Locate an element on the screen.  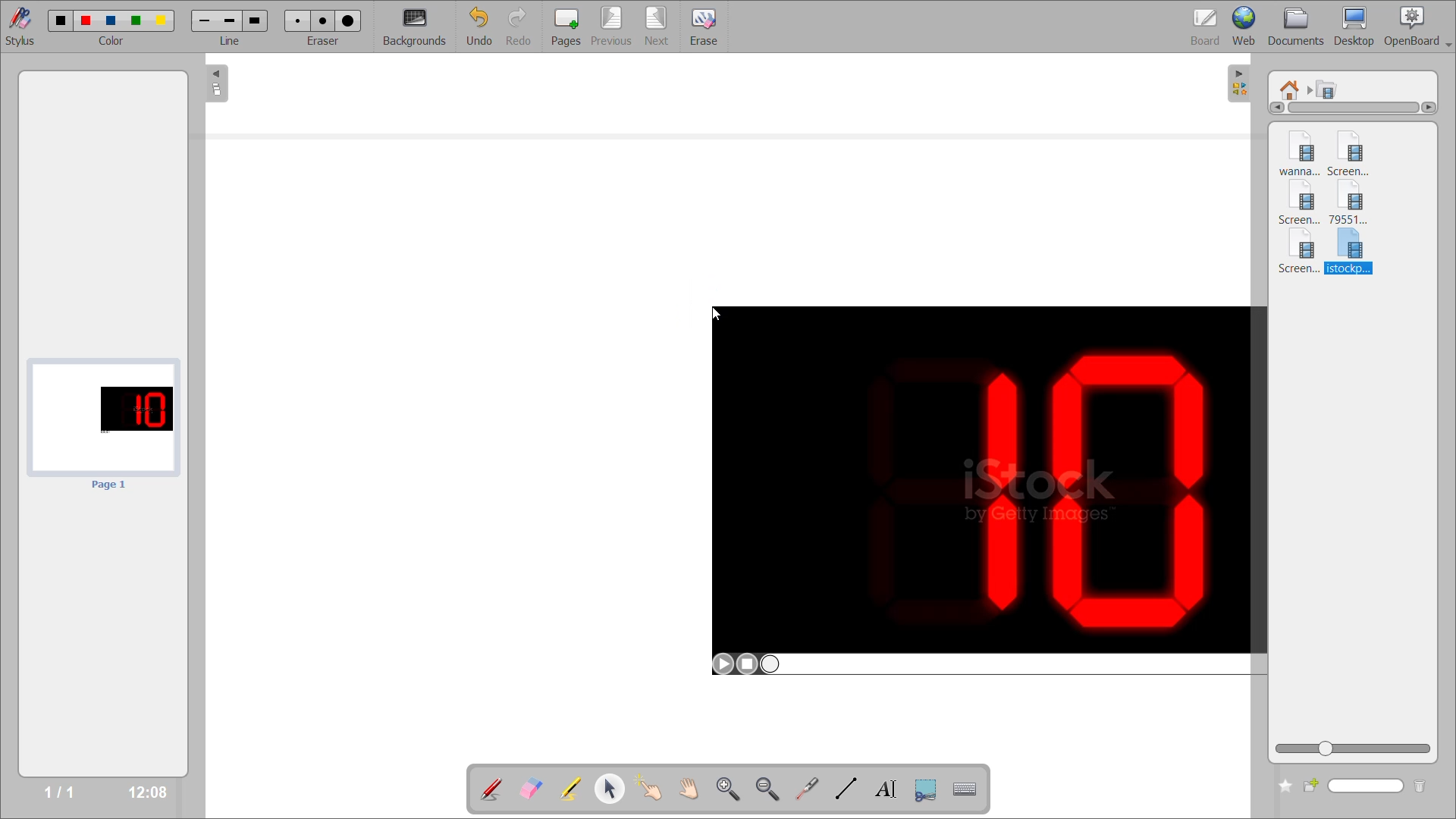
write text is located at coordinates (886, 790).